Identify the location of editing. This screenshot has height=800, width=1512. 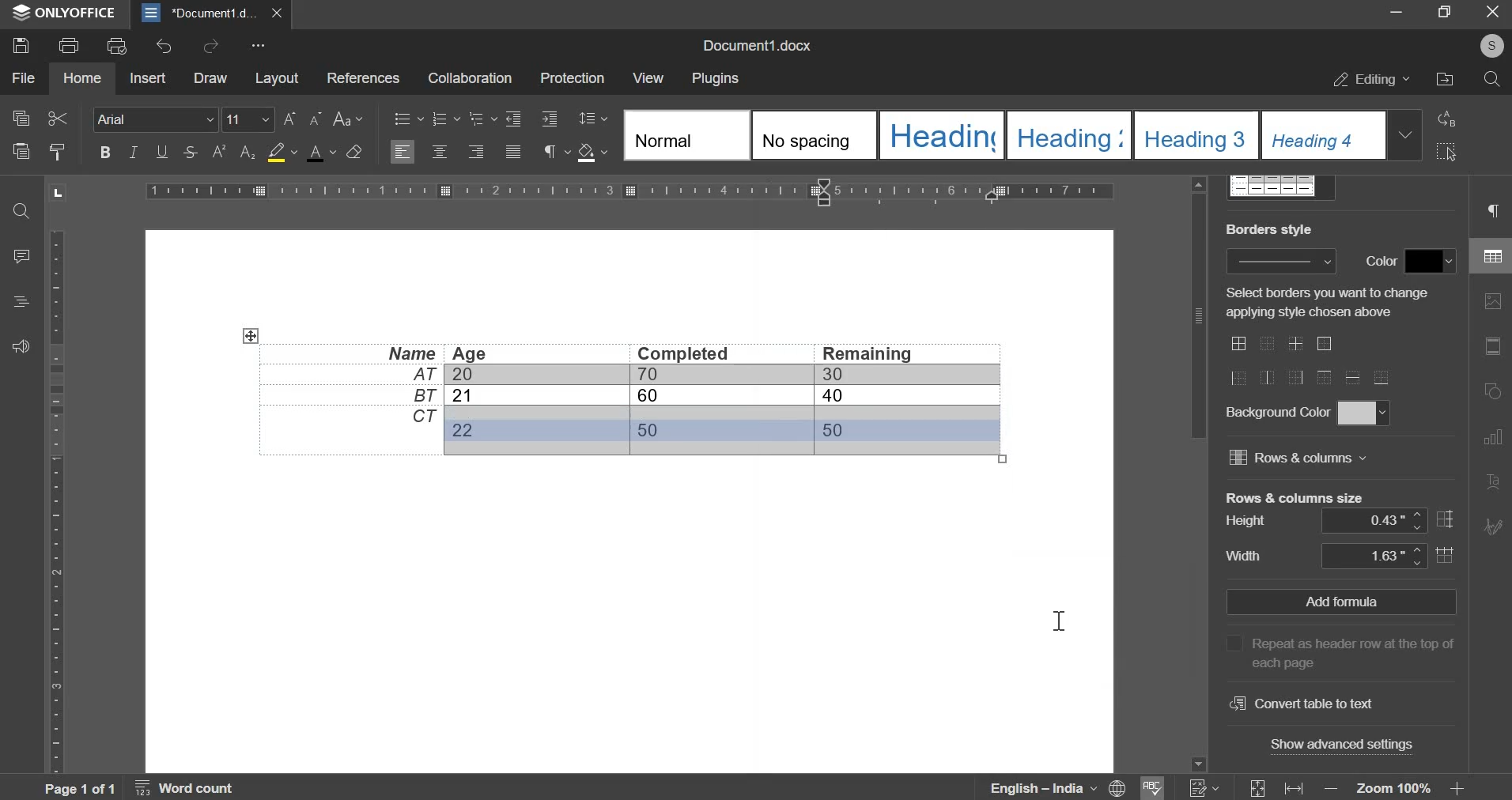
(1372, 79).